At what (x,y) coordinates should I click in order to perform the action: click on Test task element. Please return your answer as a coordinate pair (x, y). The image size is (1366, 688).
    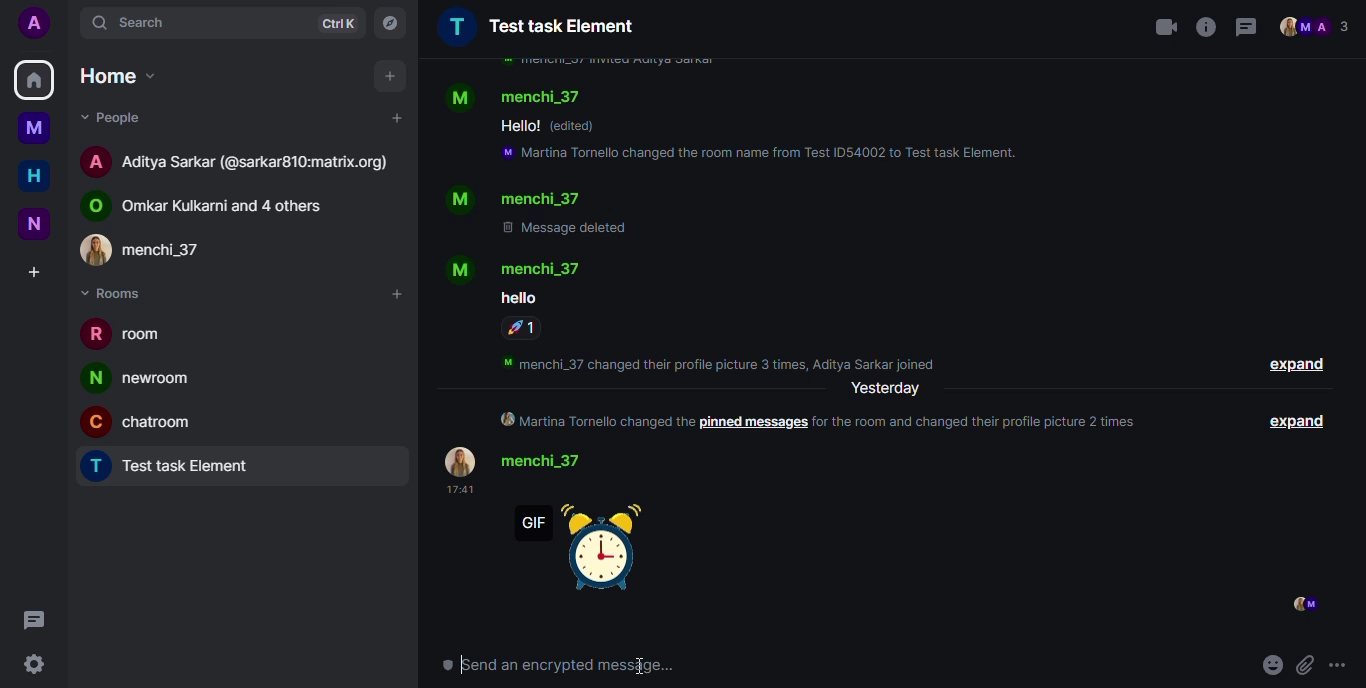
    Looking at the image, I should click on (537, 26).